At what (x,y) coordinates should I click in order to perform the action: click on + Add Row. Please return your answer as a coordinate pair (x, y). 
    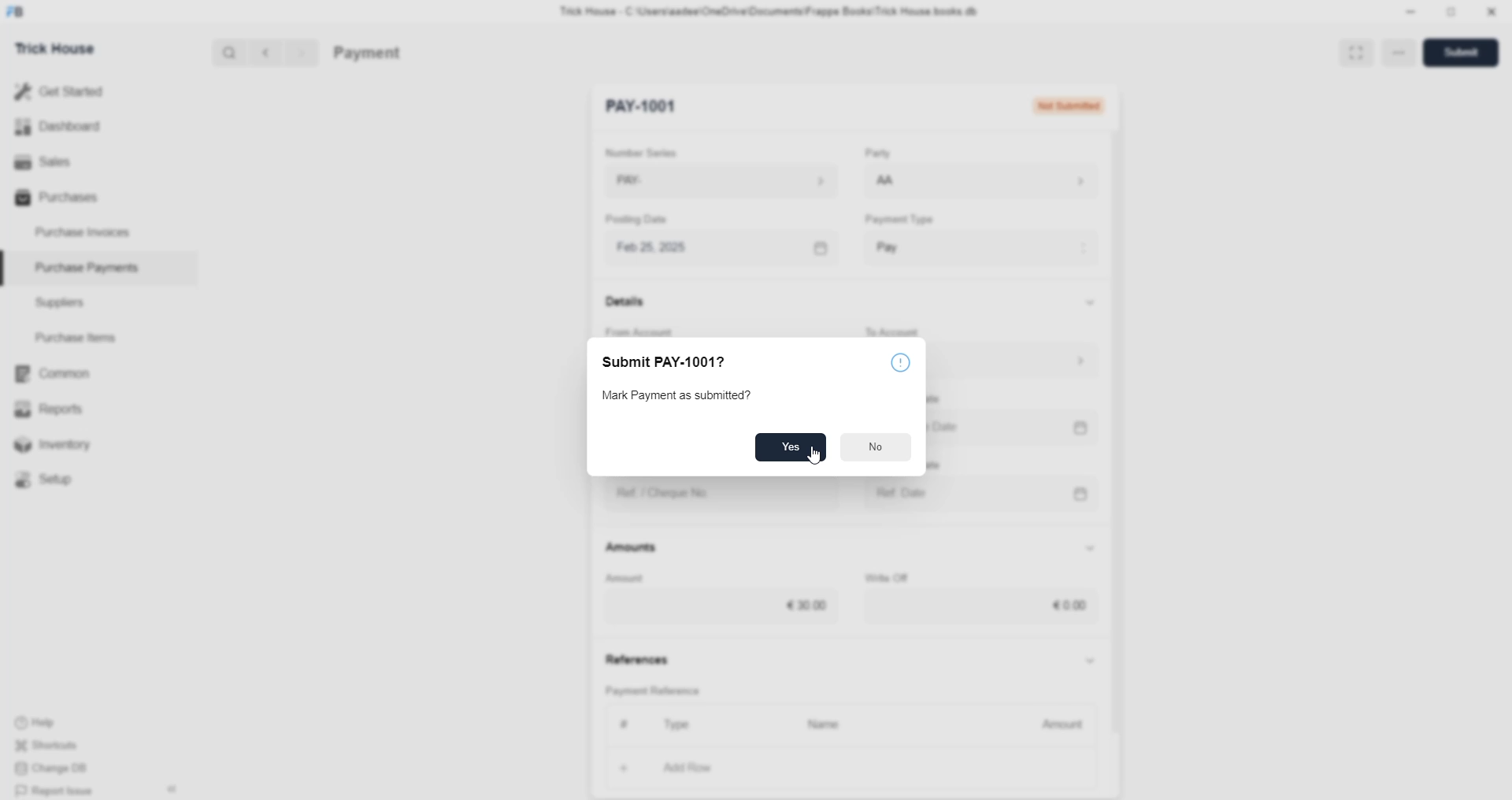
    Looking at the image, I should click on (652, 766).